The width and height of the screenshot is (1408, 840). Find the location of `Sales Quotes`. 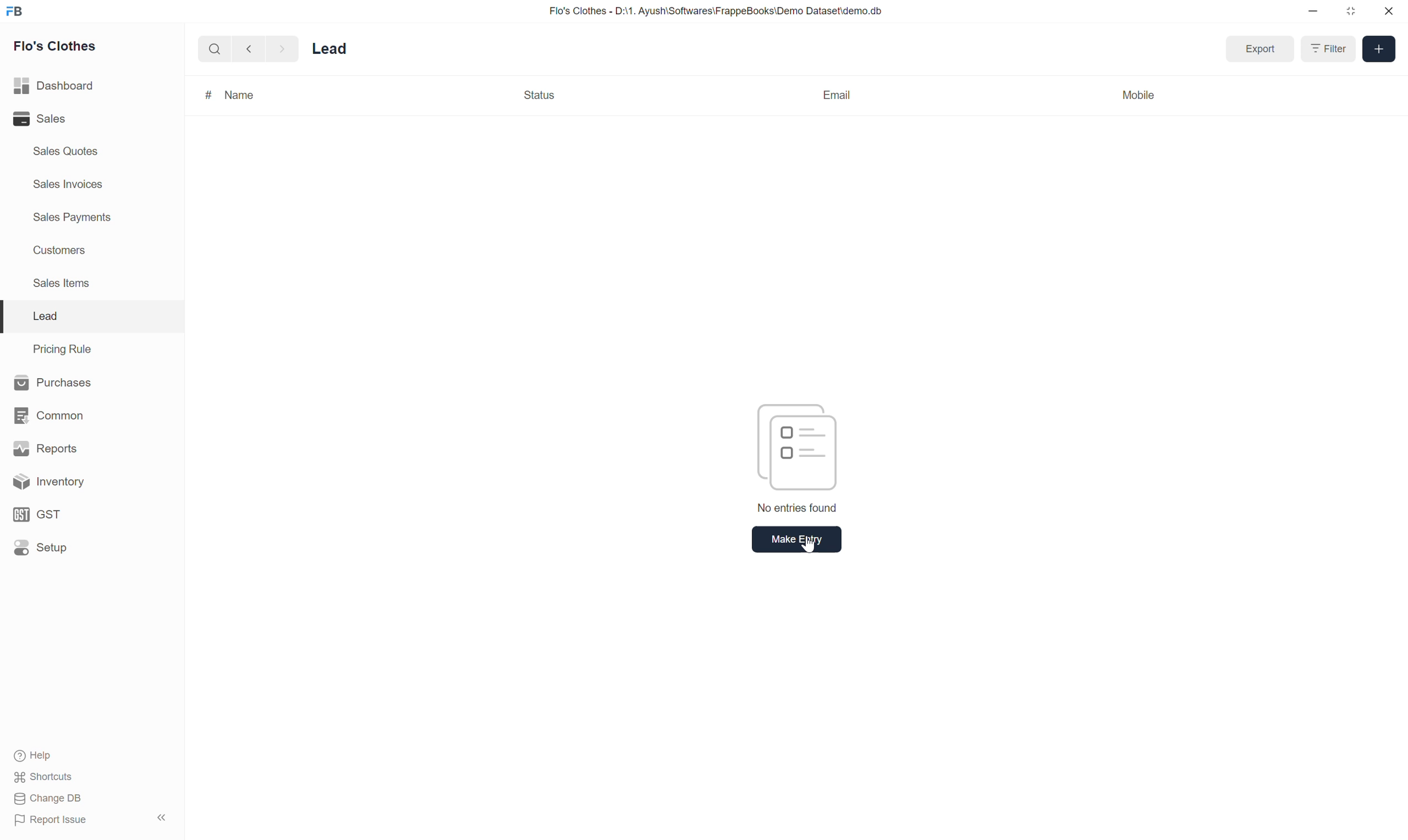

Sales Quotes is located at coordinates (68, 153).